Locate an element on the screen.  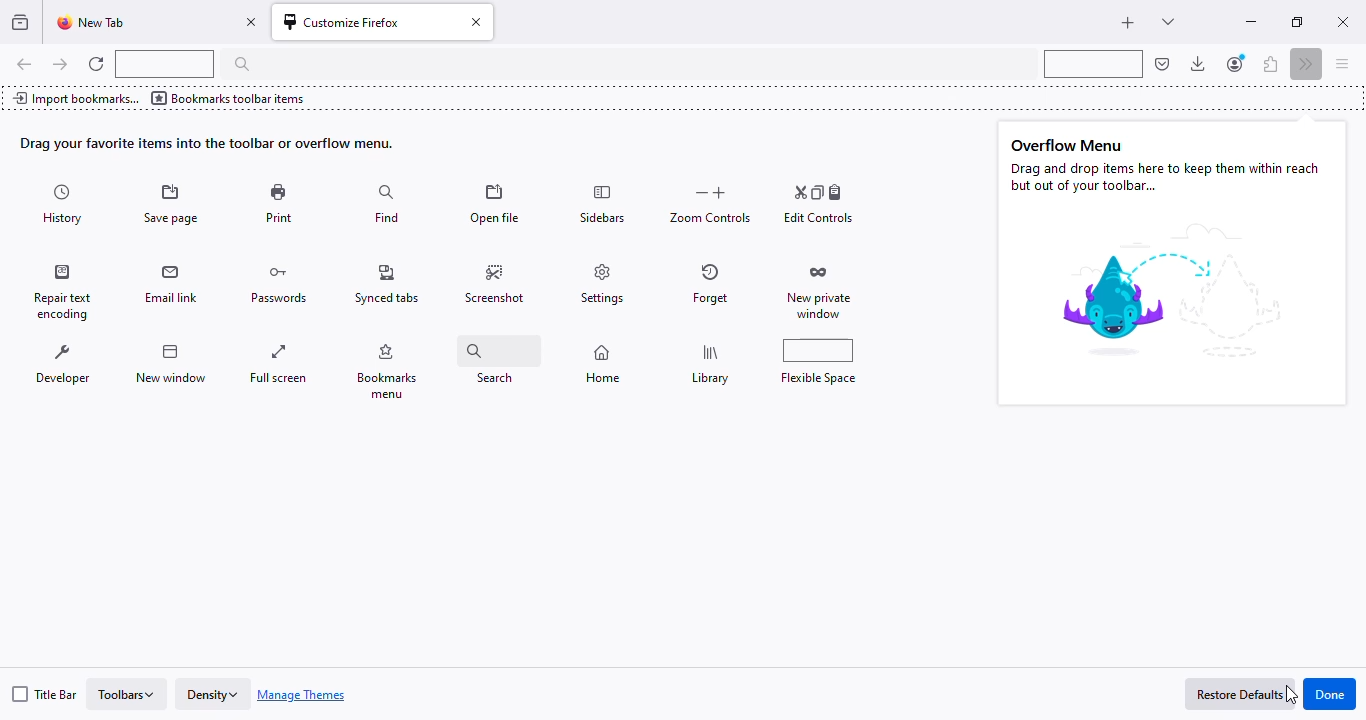
go back one page is located at coordinates (25, 63).